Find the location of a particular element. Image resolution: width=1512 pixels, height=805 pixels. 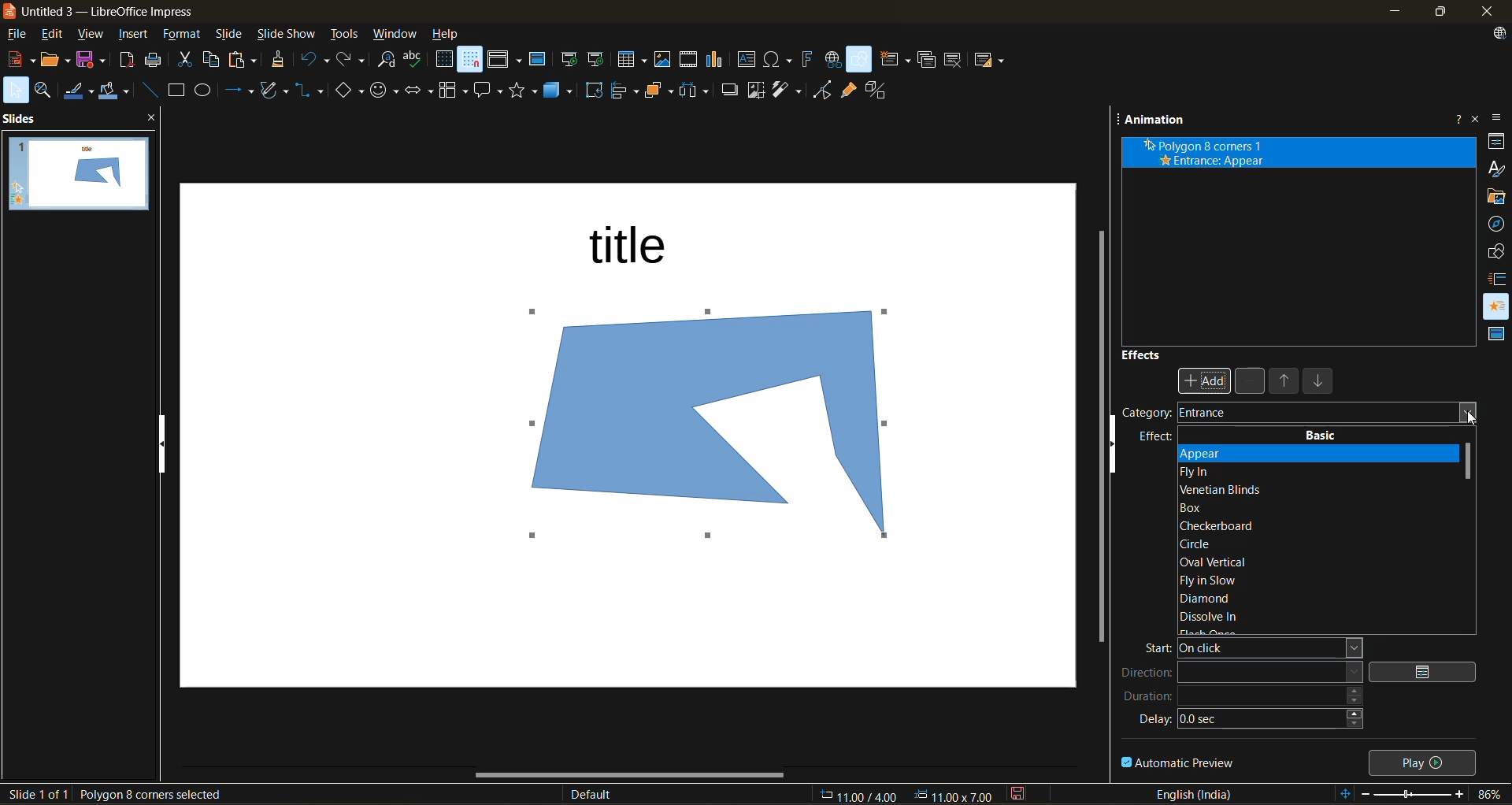

fly in is located at coordinates (1231, 472).